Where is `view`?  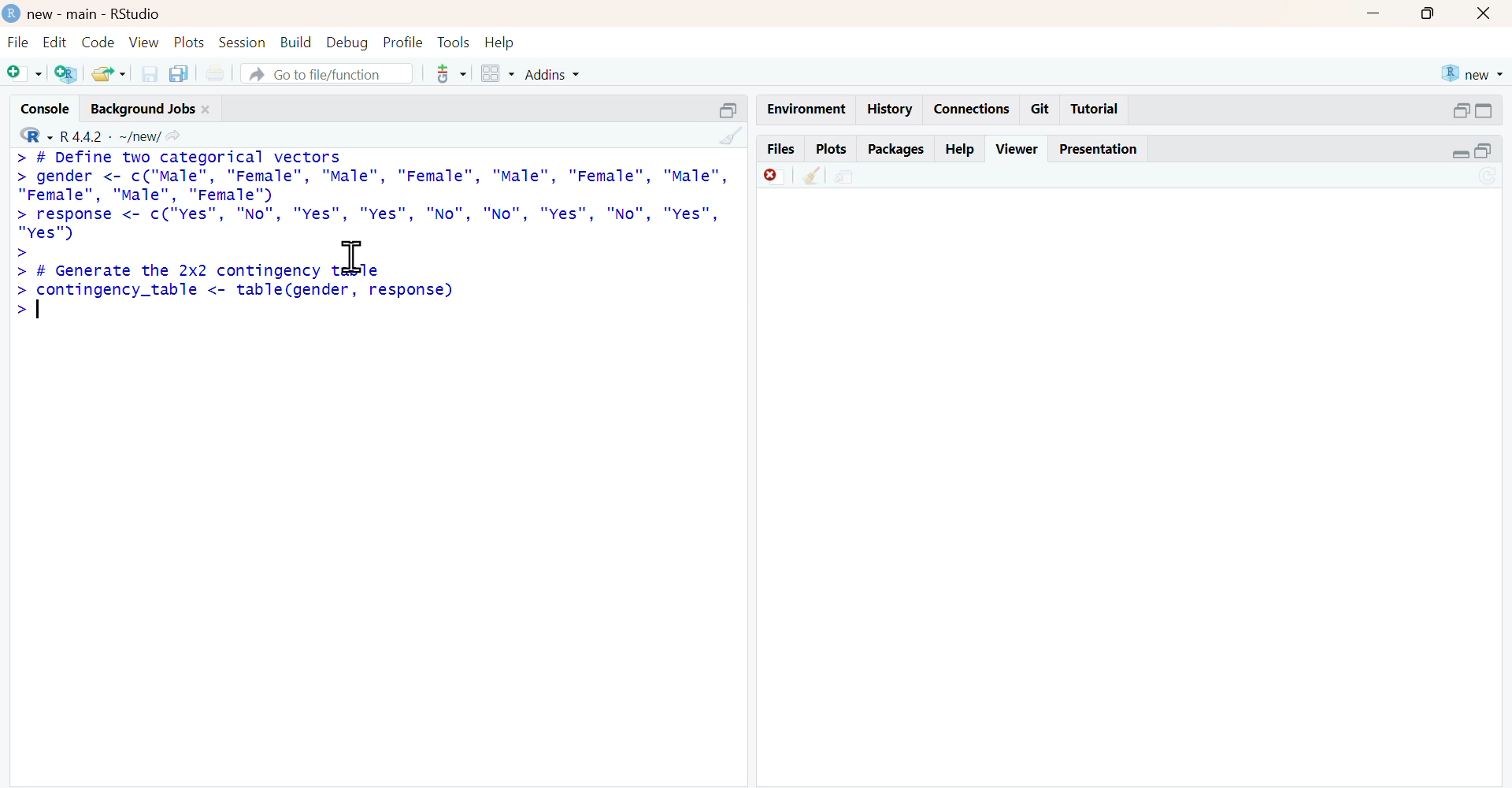
view is located at coordinates (145, 42).